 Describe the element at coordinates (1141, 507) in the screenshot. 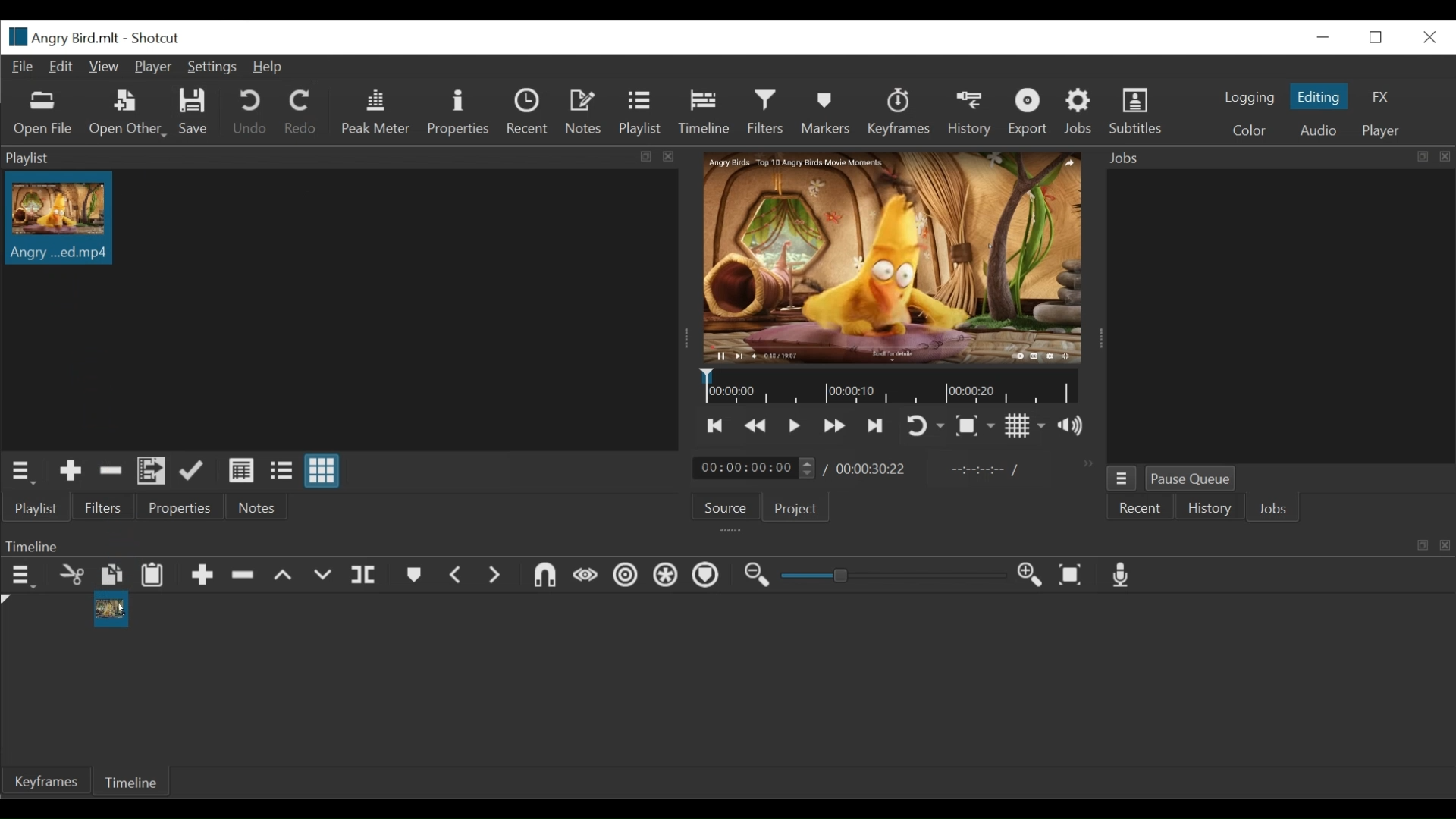

I see `Recent` at that location.